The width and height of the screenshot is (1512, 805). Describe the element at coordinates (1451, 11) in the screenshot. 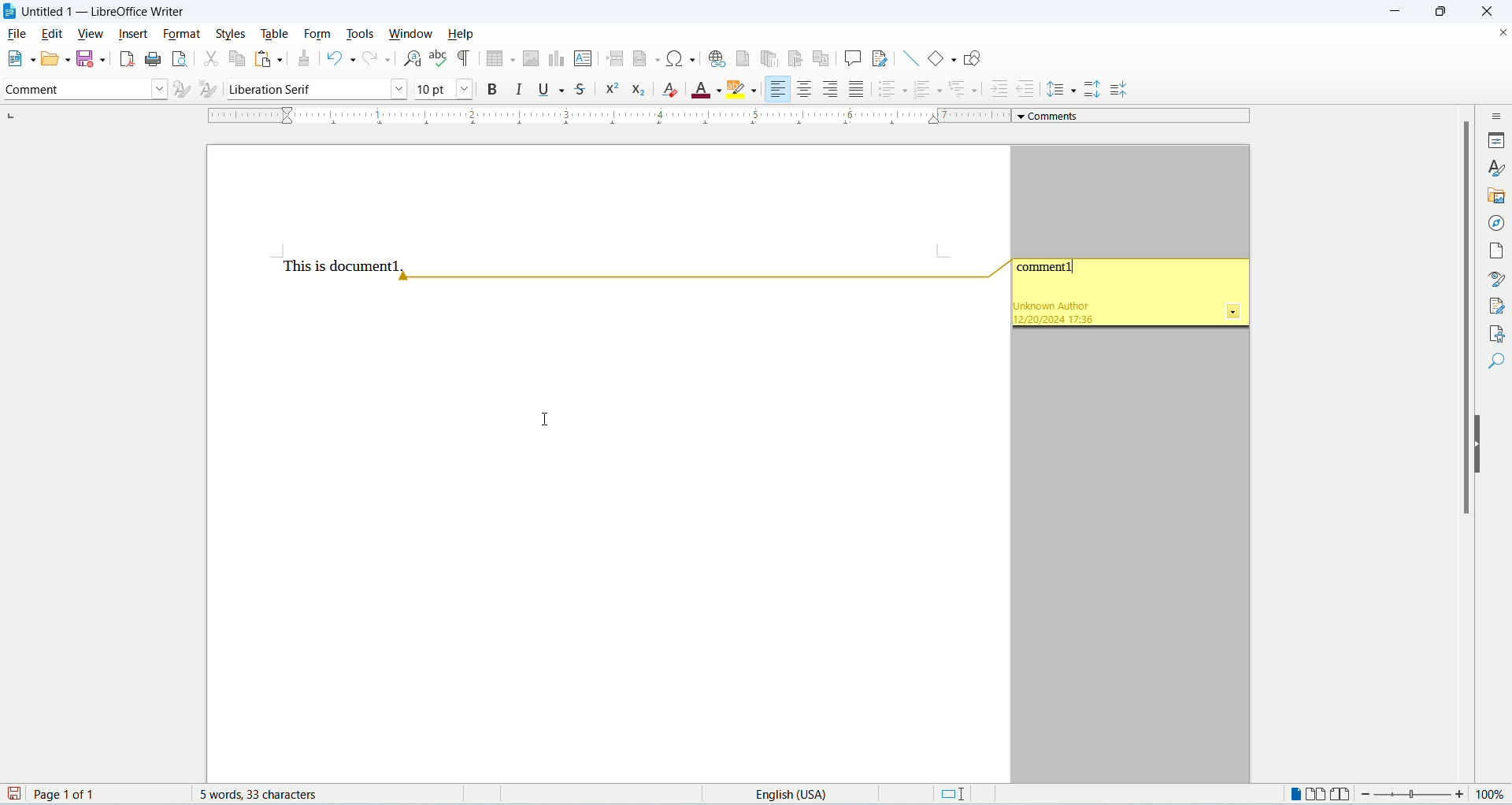

I see `maximize` at that location.